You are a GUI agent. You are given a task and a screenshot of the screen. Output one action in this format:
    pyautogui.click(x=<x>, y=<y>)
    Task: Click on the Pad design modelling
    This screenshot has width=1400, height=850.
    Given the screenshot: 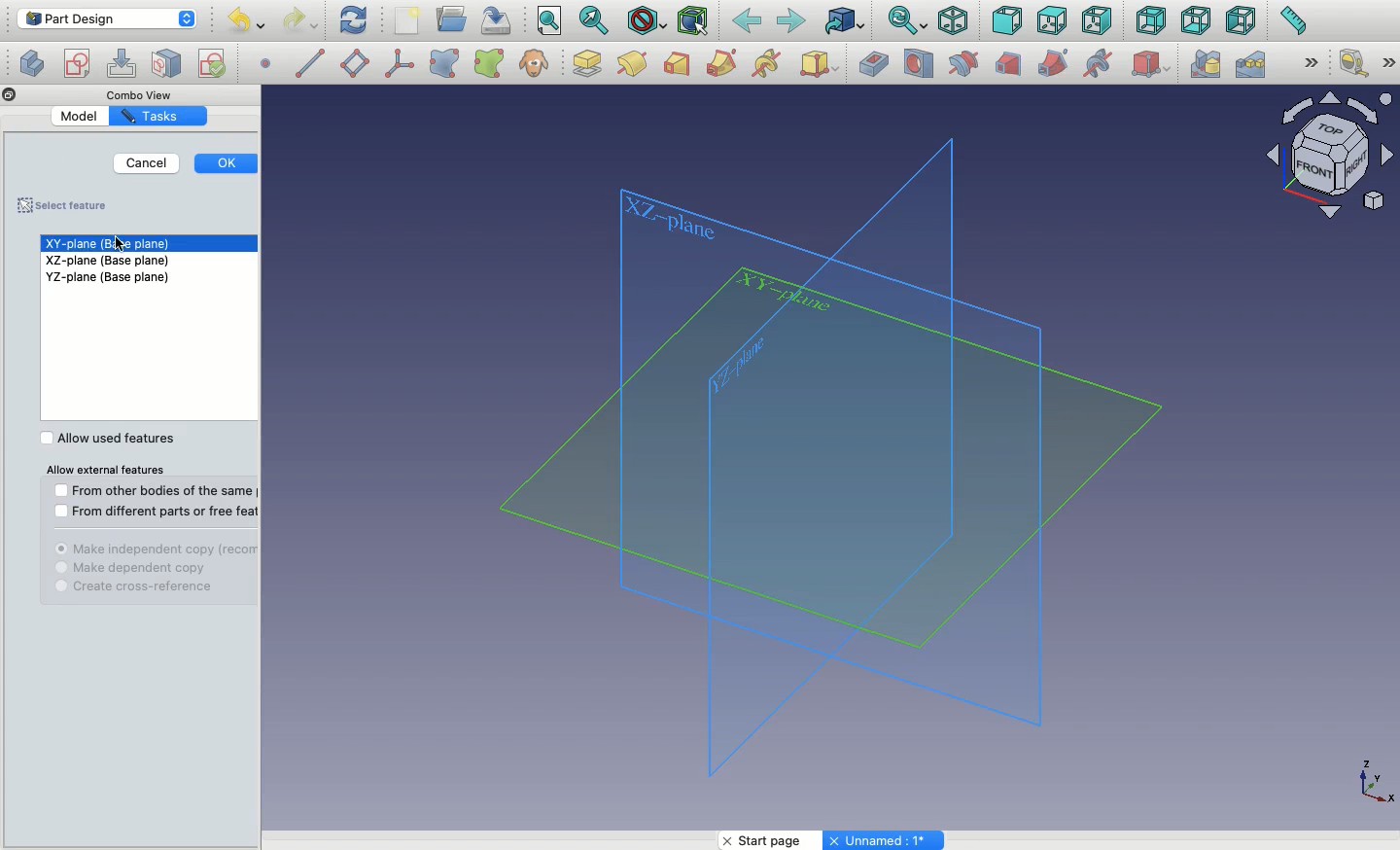 What is the action you would take?
    pyautogui.click(x=634, y=66)
    